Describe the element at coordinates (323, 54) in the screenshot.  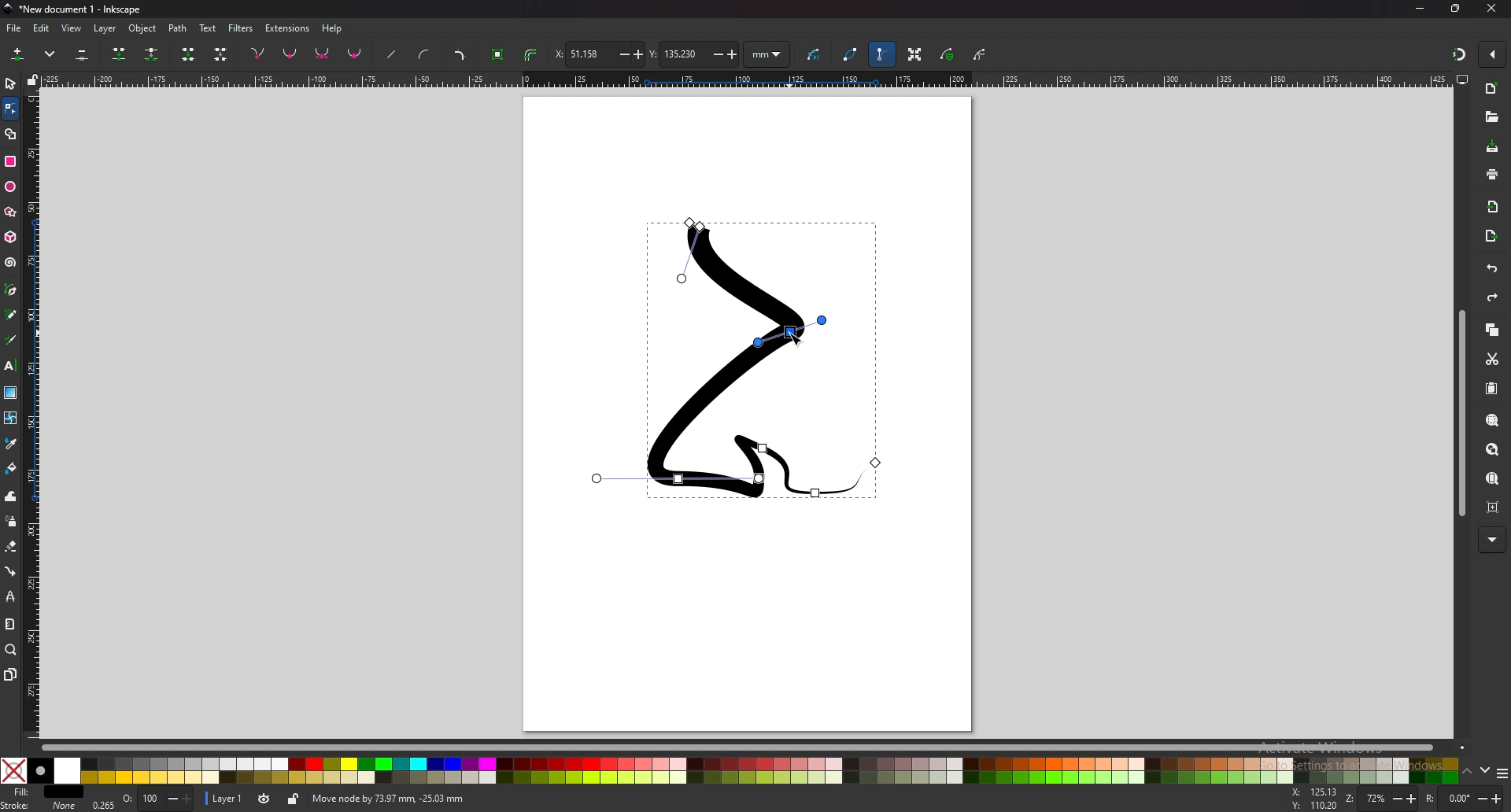
I see `symmetric` at that location.